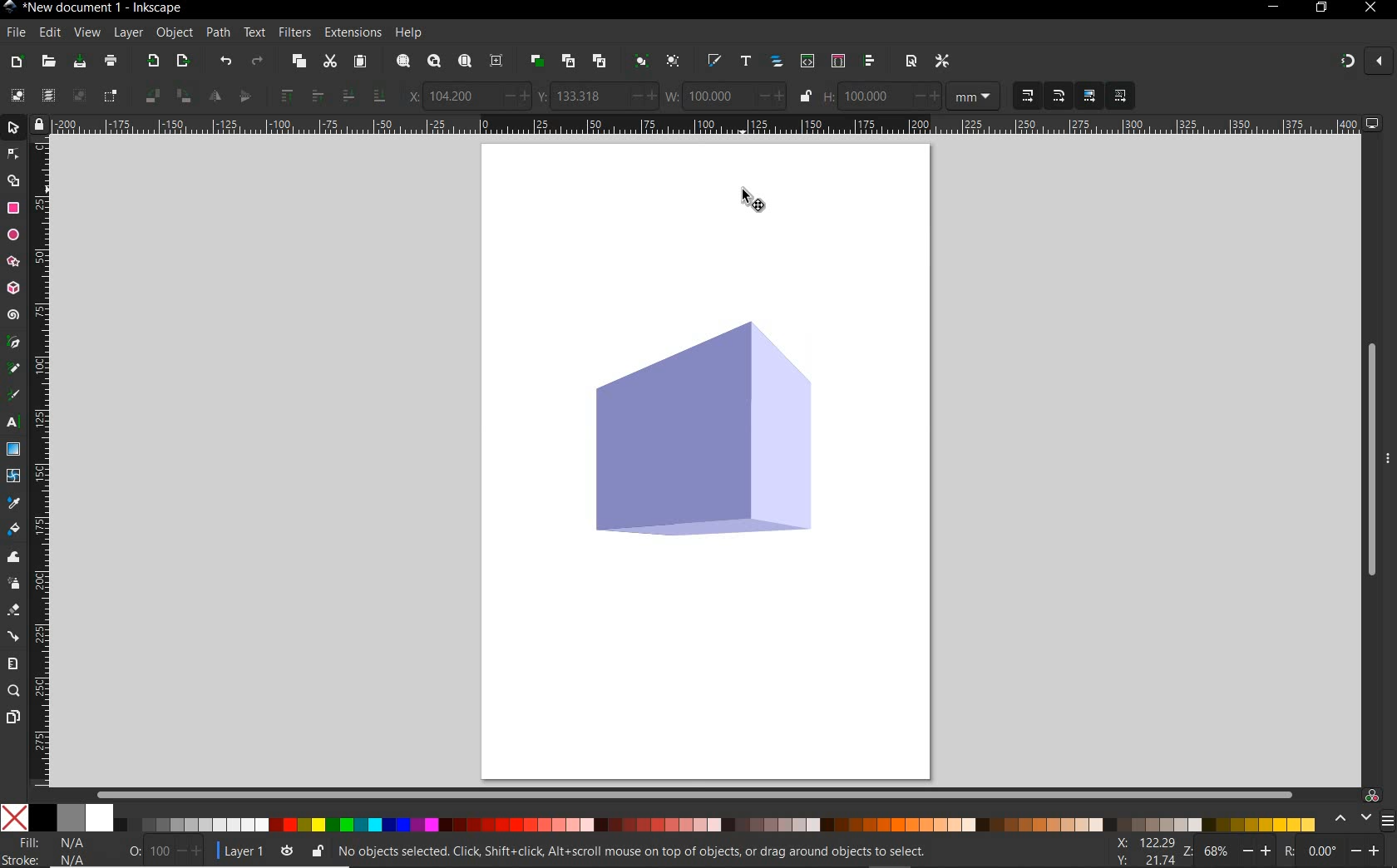  Describe the element at coordinates (536, 62) in the screenshot. I see `duplicate` at that location.